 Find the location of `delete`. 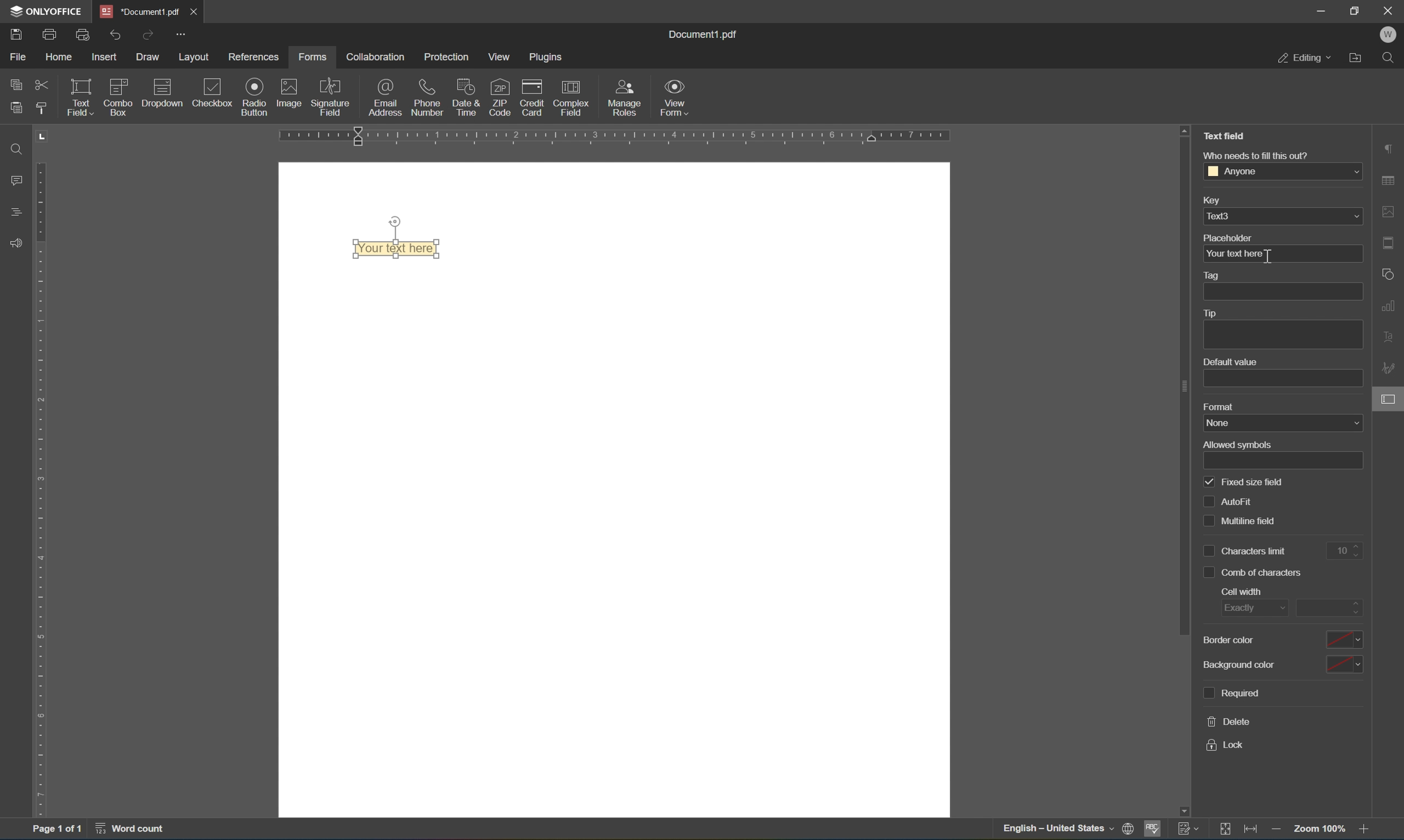

delete is located at coordinates (1228, 721).